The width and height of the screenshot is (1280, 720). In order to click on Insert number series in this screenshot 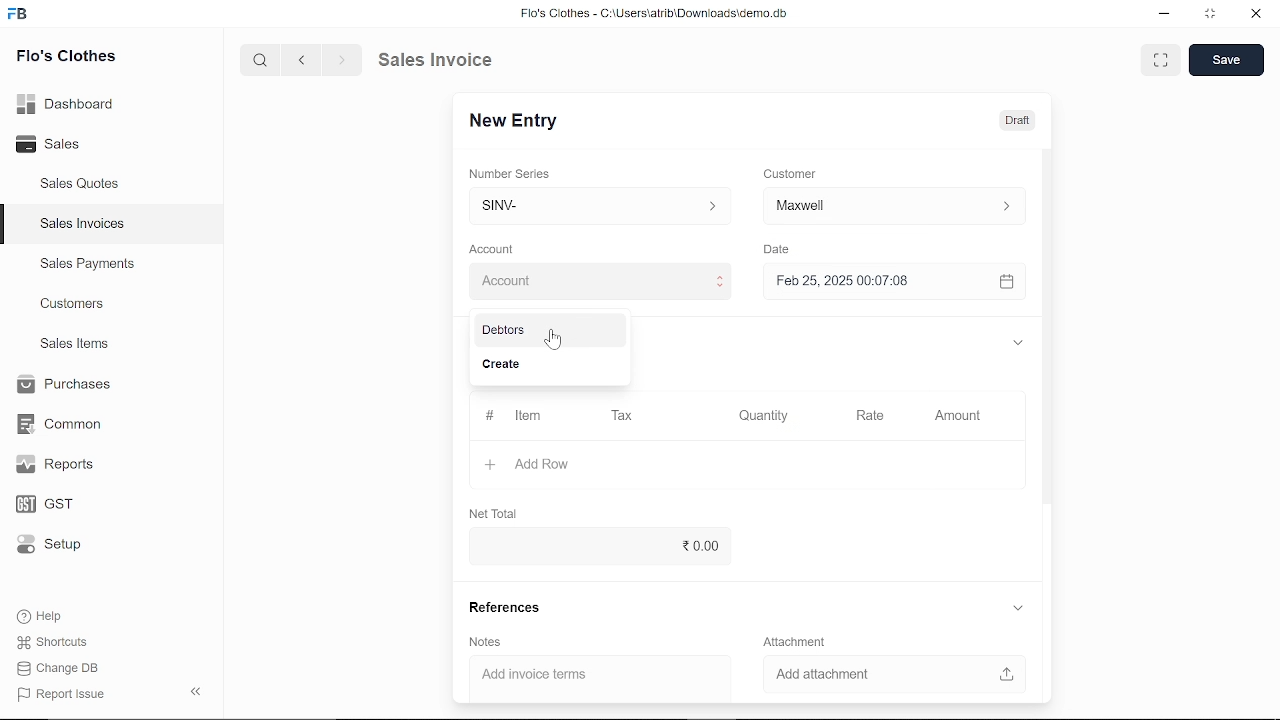, I will do `click(601, 203)`.